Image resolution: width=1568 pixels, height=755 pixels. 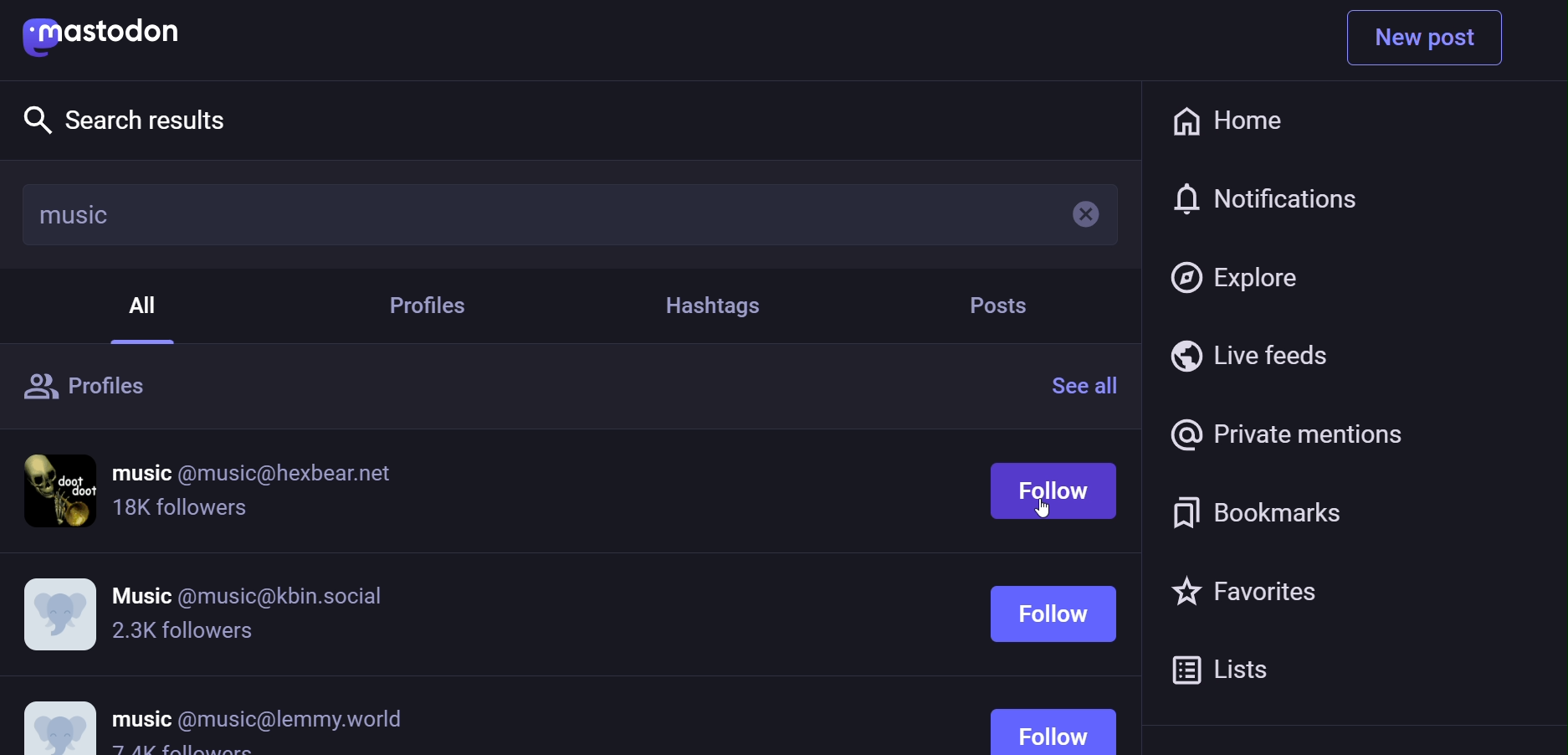 I want to click on see all, so click(x=1091, y=385).